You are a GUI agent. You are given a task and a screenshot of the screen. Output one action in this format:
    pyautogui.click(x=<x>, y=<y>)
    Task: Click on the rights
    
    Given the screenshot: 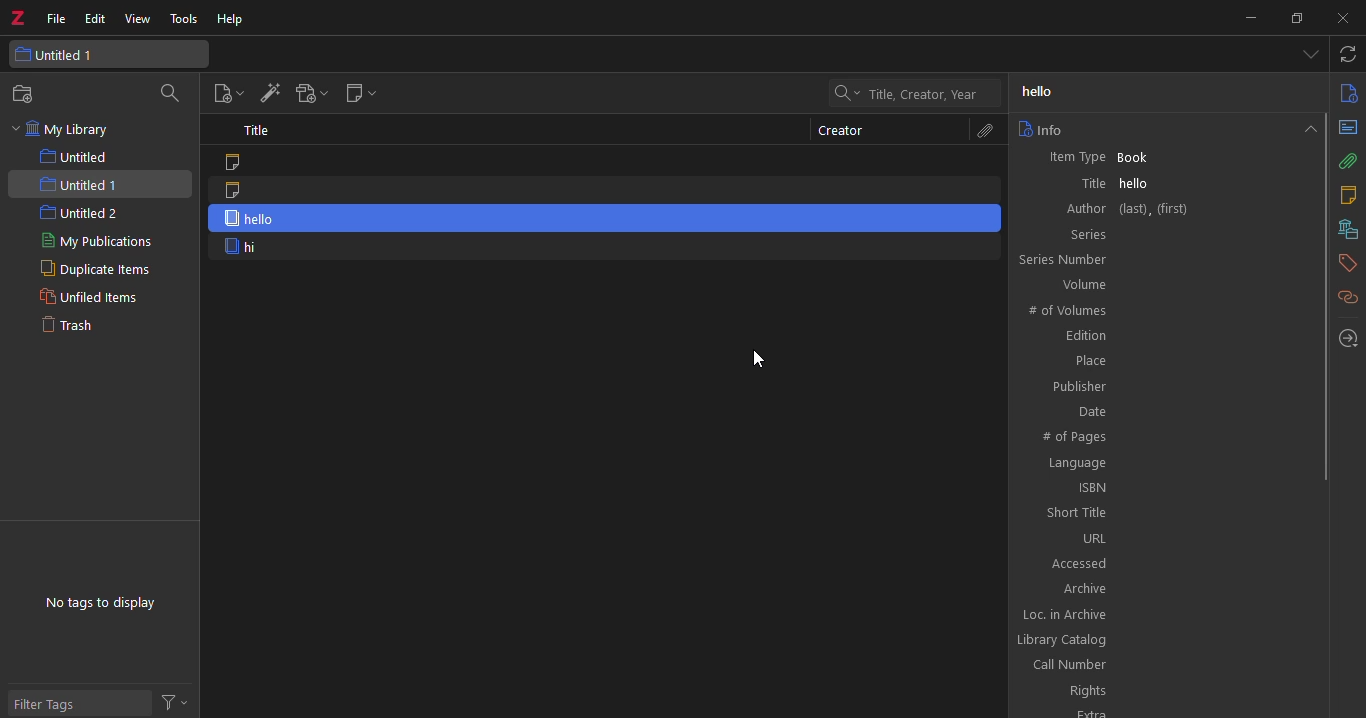 What is the action you would take?
    pyautogui.click(x=1161, y=691)
    